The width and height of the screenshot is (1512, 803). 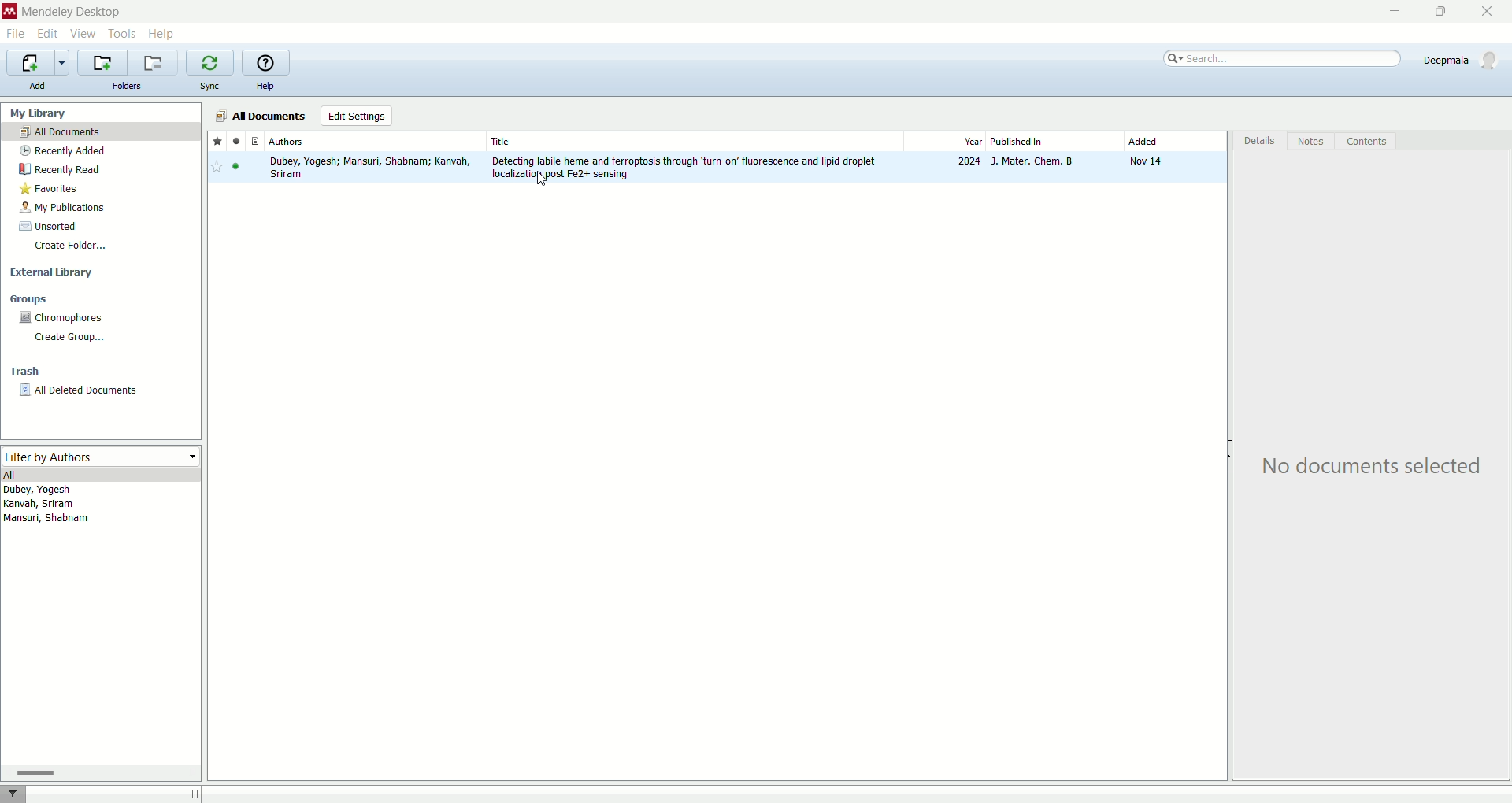 What do you see at coordinates (39, 86) in the screenshot?
I see `add` at bounding box center [39, 86].